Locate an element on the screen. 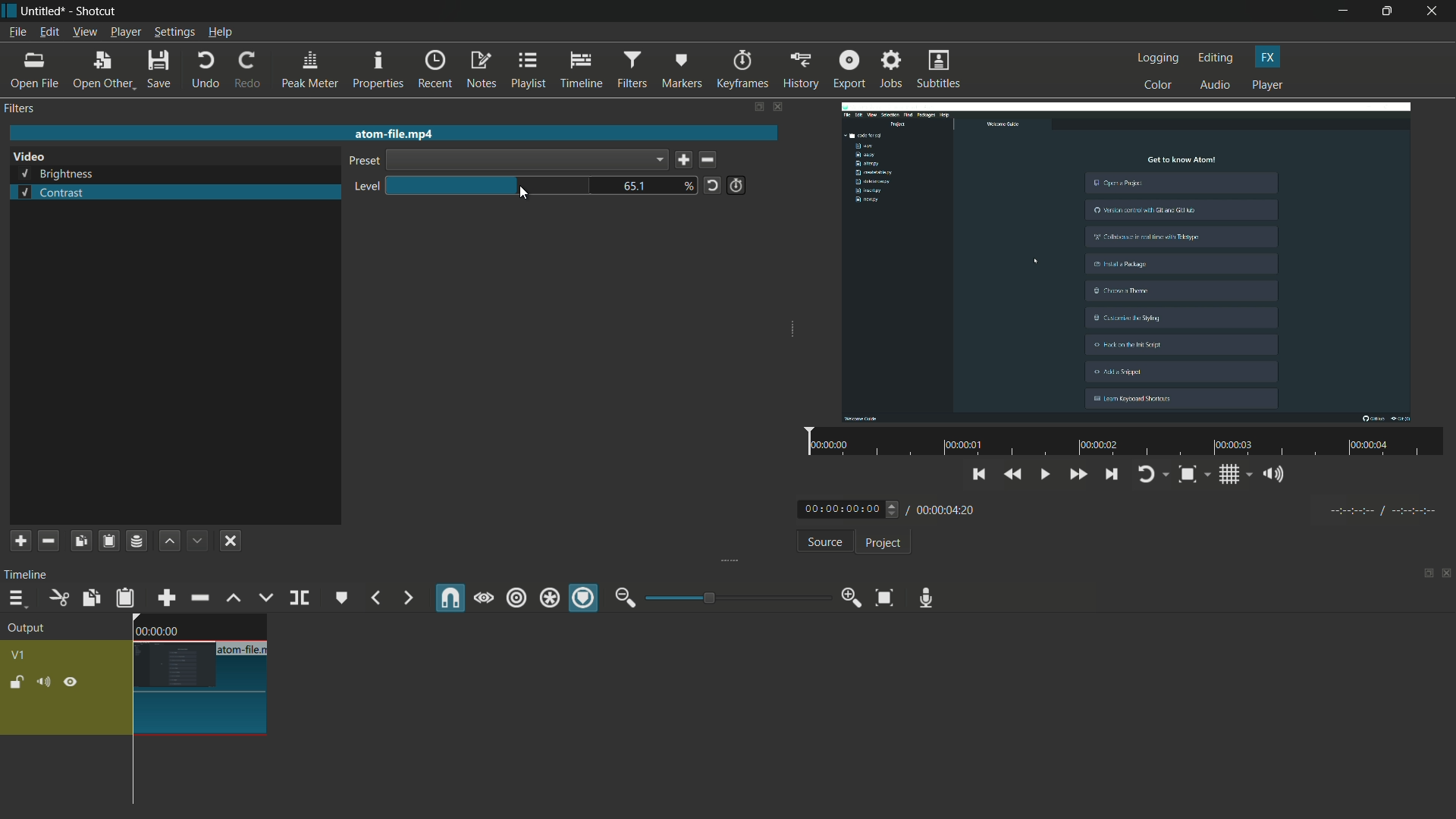 The image size is (1456, 819). remove selected filter is located at coordinates (49, 541).